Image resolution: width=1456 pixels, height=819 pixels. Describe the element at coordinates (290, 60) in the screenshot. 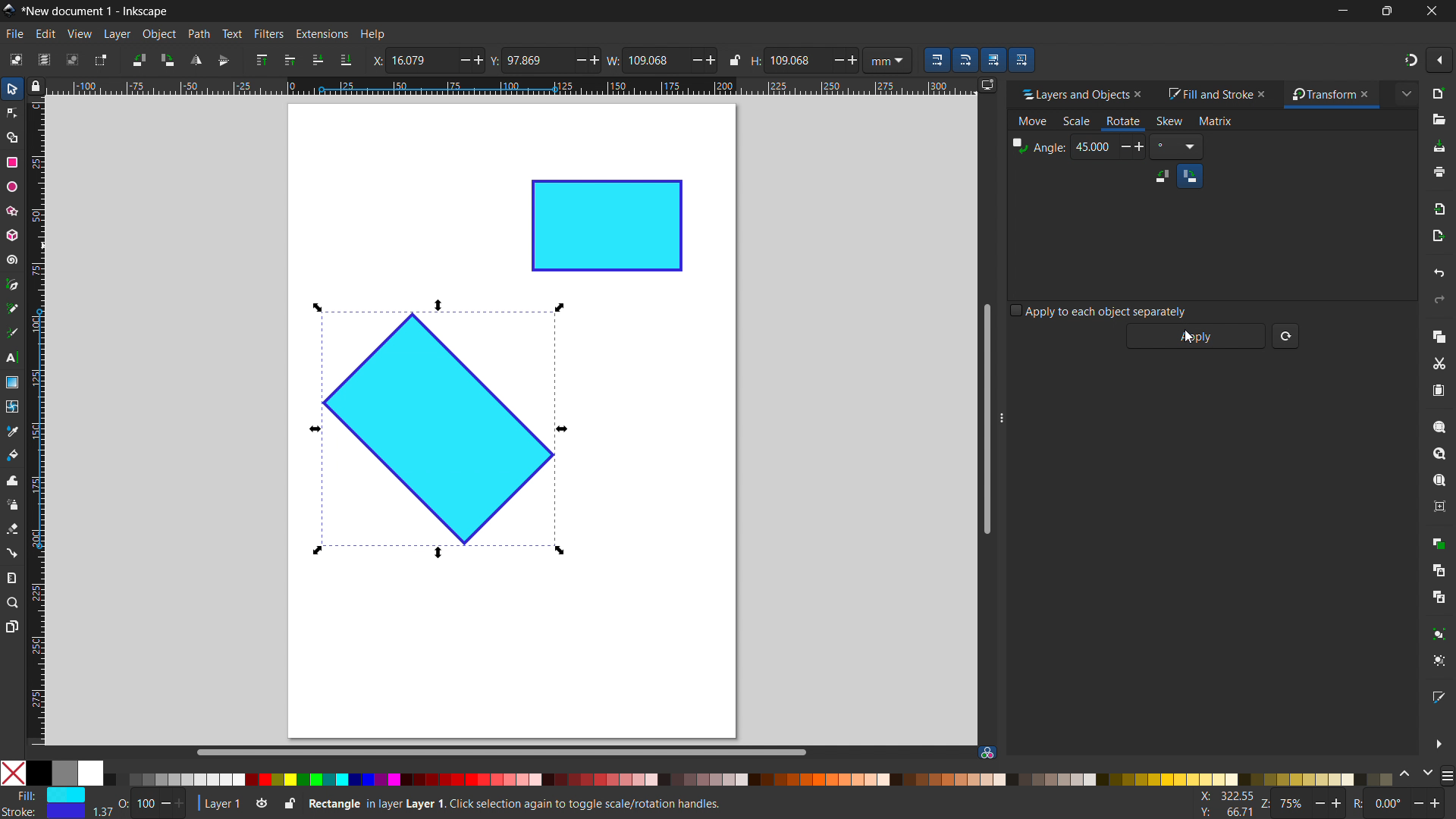

I see `raise` at that location.